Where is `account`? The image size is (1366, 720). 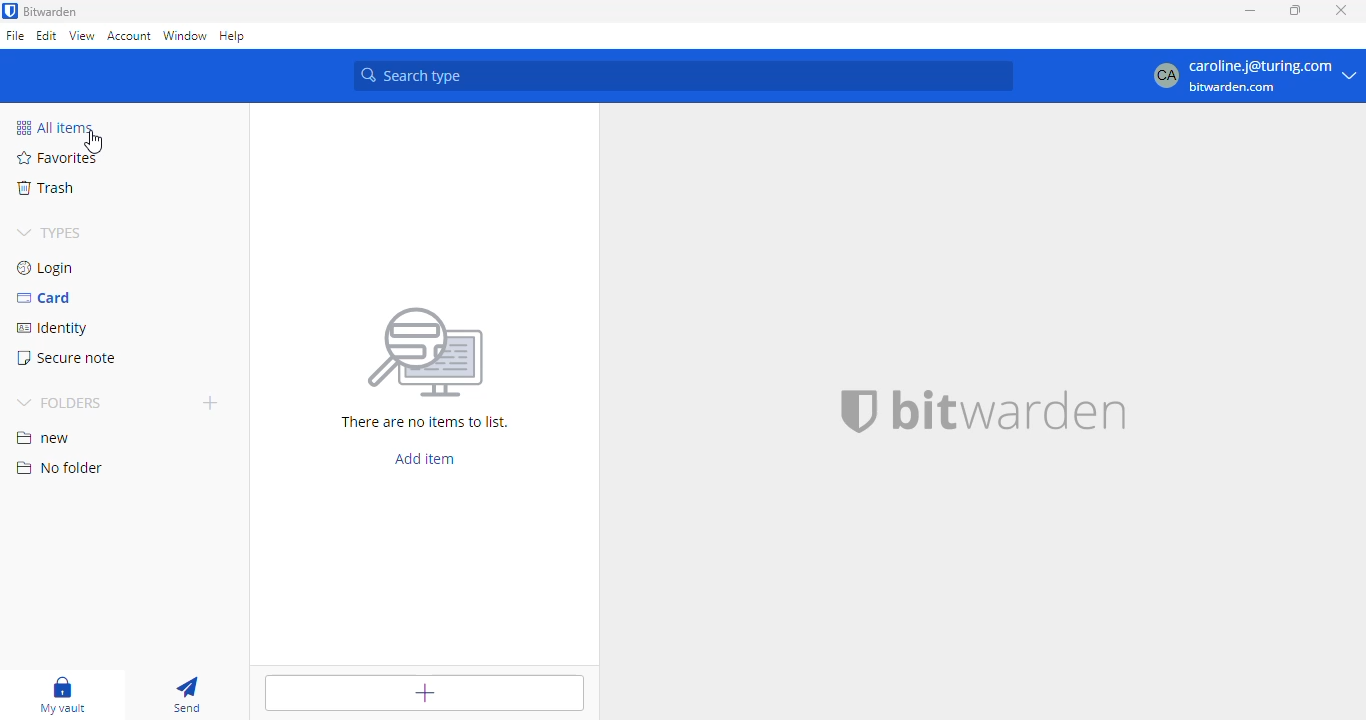
account is located at coordinates (129, 35).